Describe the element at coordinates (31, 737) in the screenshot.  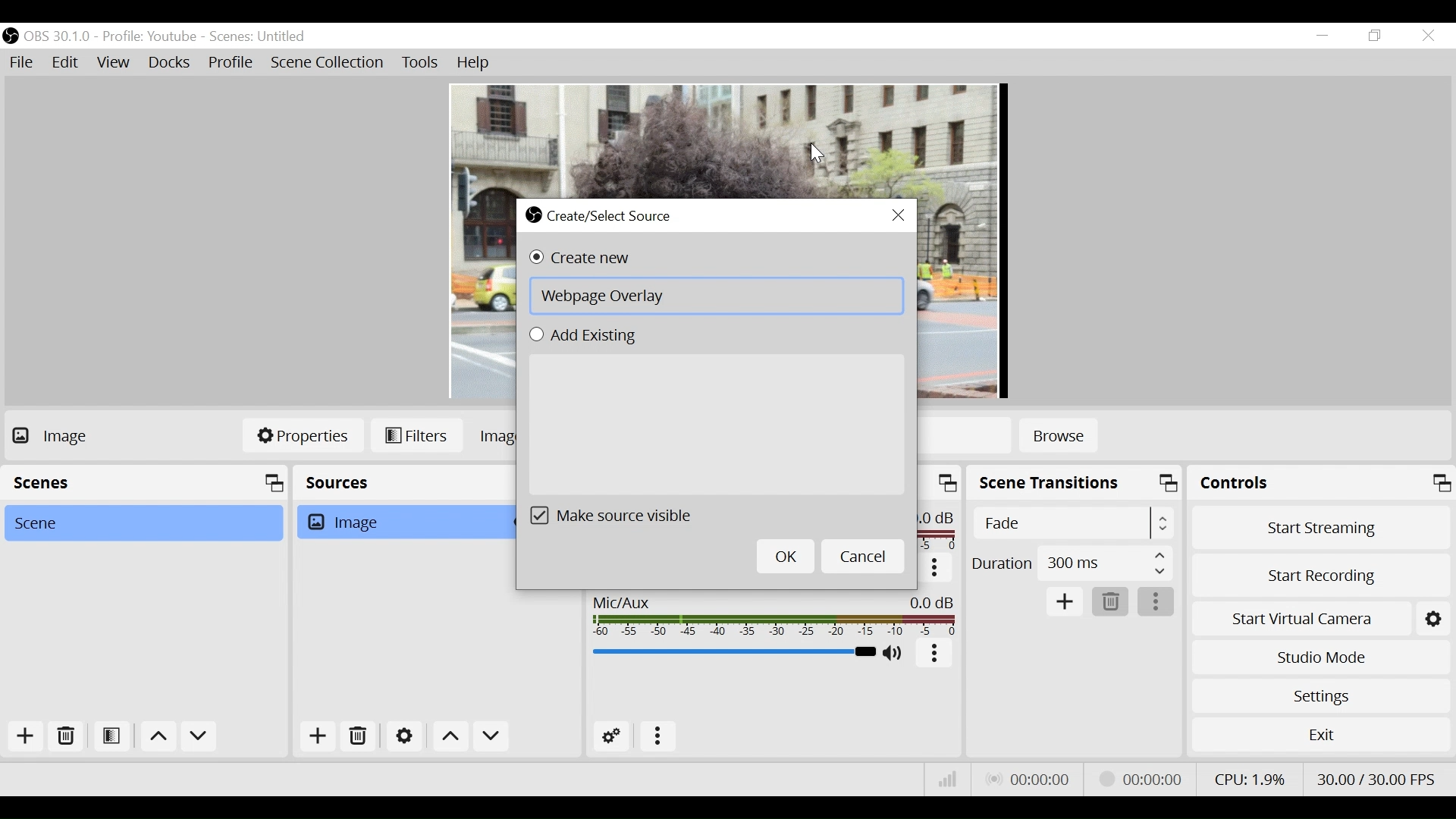
I see `Add` at that location.